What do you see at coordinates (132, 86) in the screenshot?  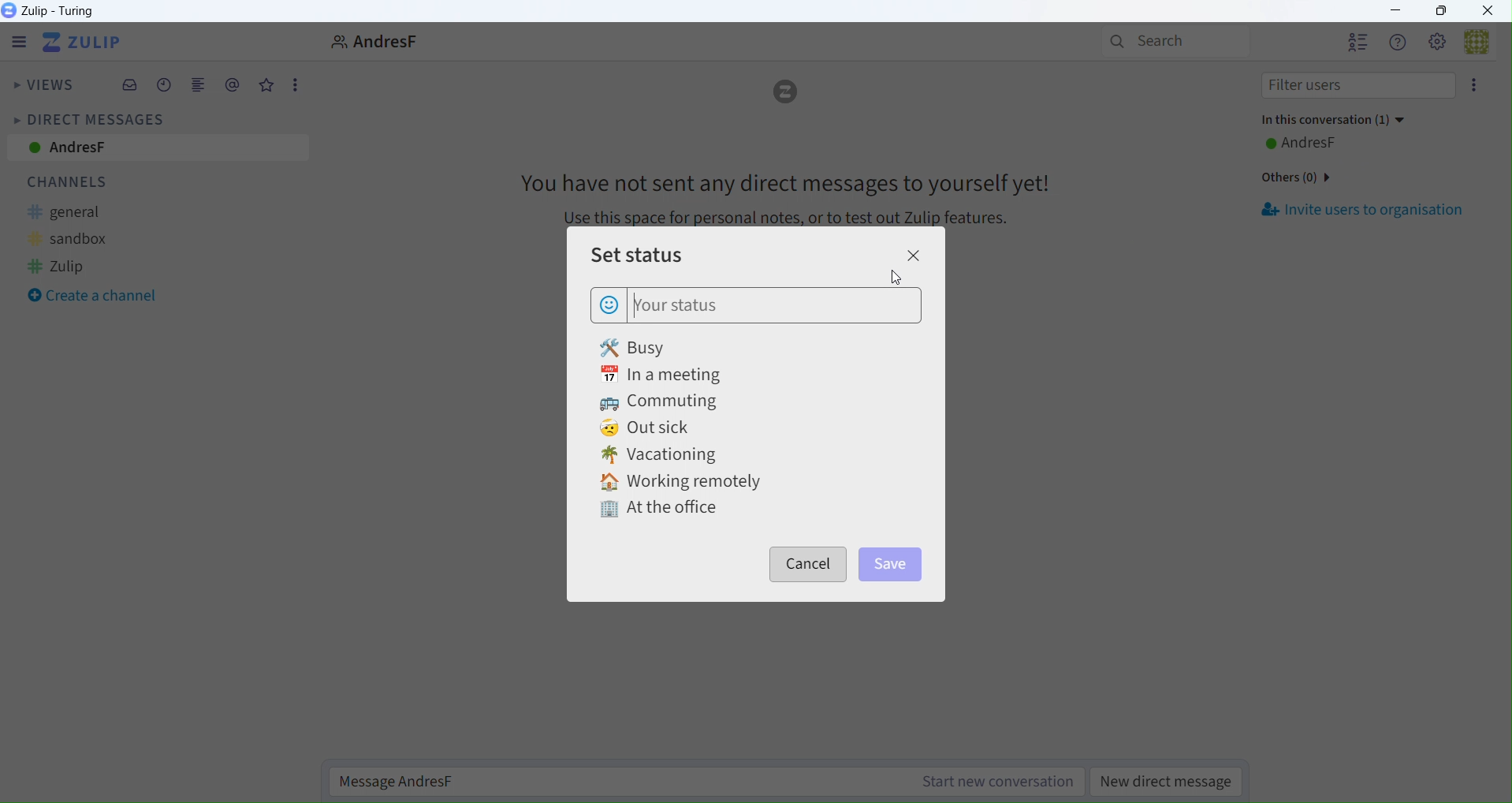 I see `Inbox` at bounding box center [132, 86].